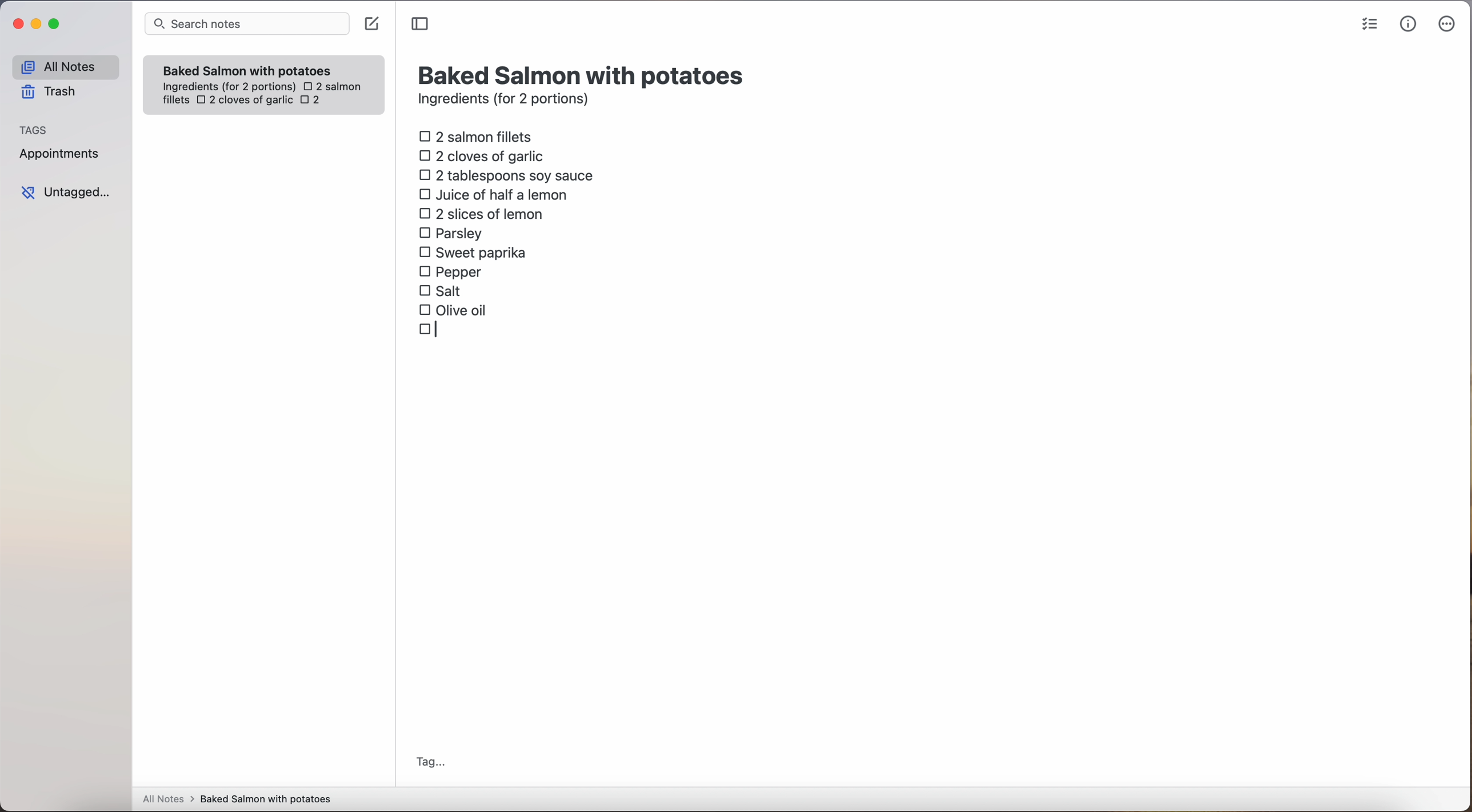 Image resolution: width=1472 pixels, height=812 pixels. Describe the element at coordinates (1409, 23) in the screenshot. I see `metrics` at that location.